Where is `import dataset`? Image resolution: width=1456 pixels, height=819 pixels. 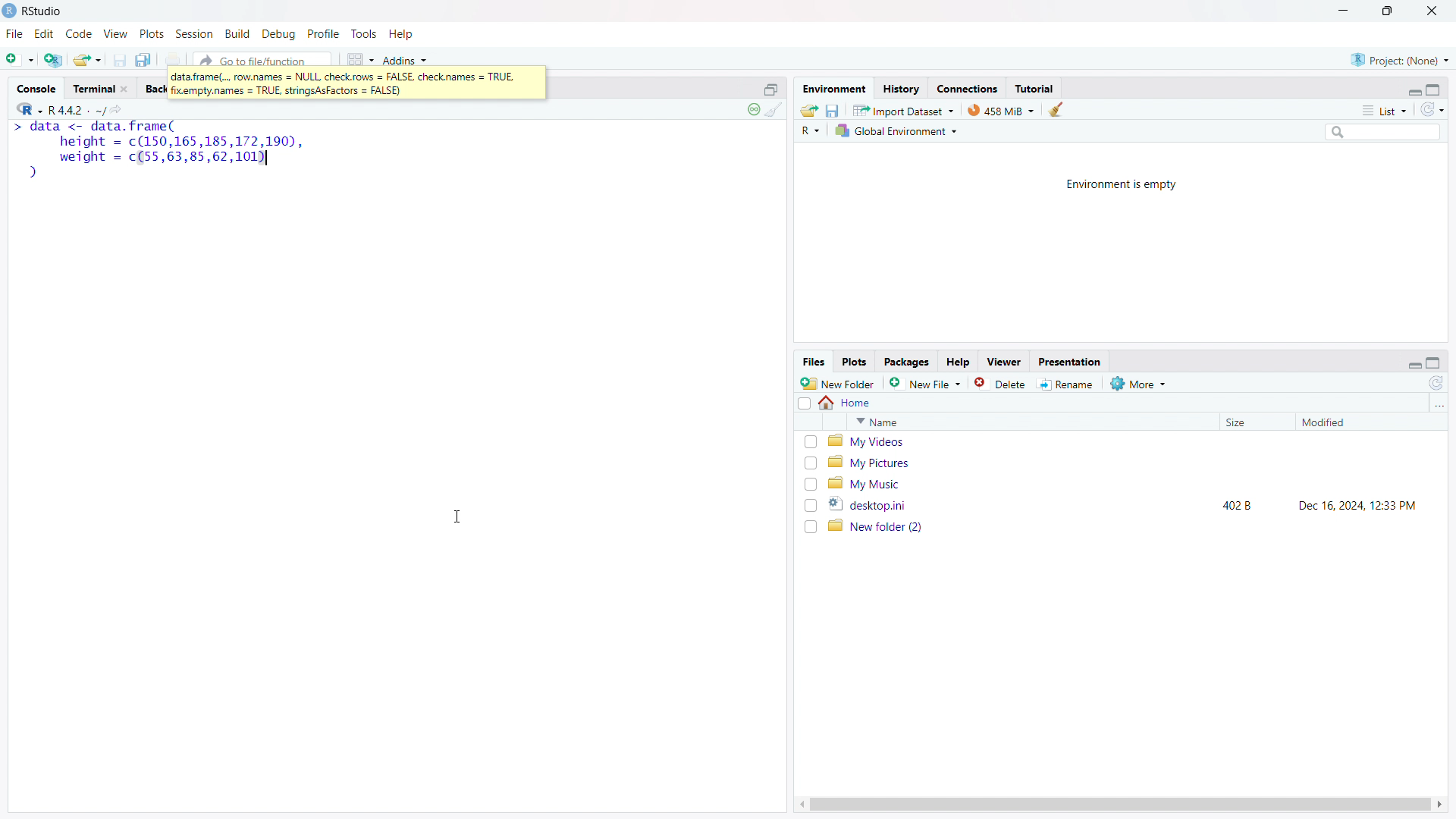
import dataset is located at coordinates (904, 109).